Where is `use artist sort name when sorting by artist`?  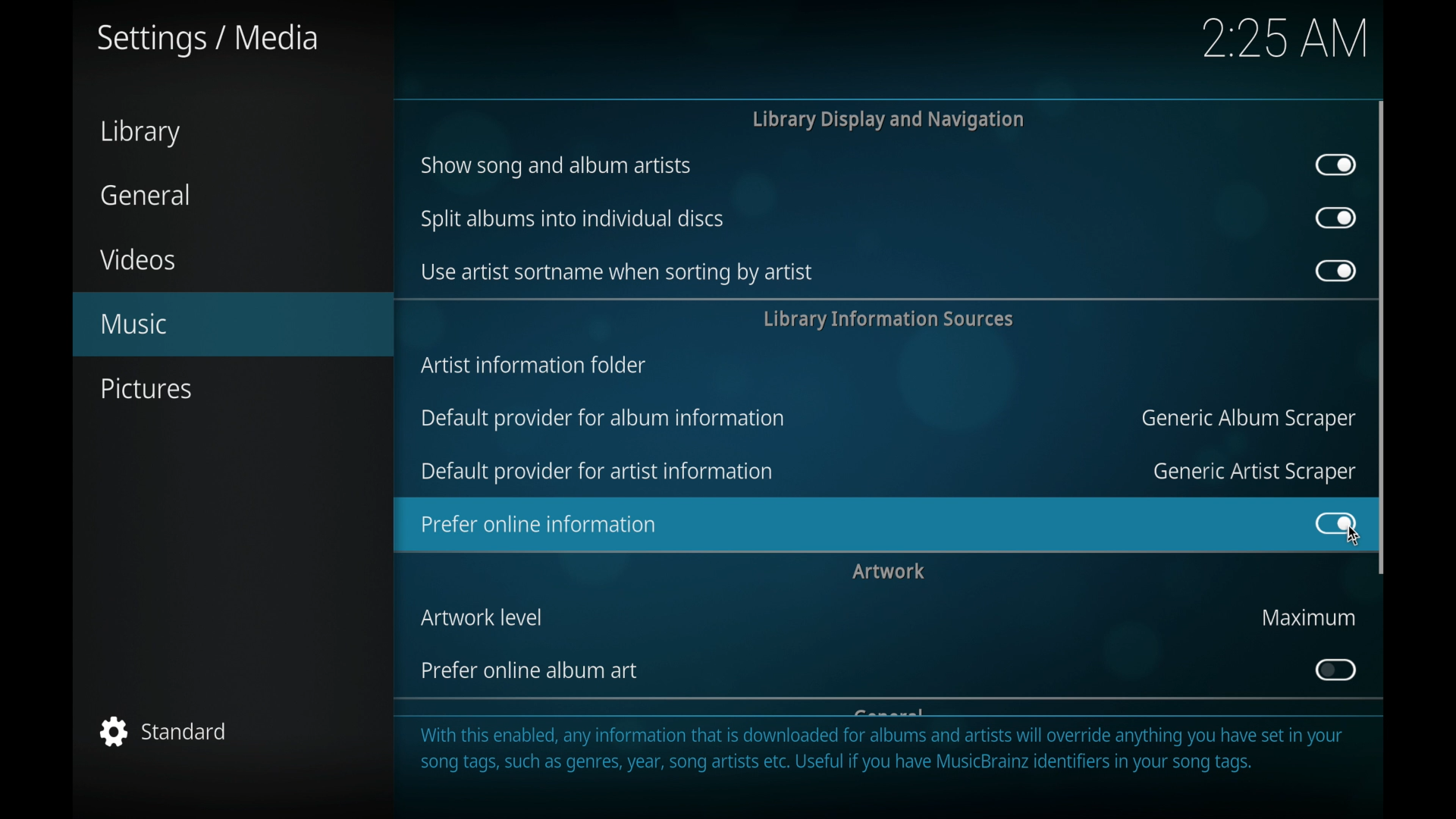
use artist sort name when sorting by artist is located at coordinates (618, 273).